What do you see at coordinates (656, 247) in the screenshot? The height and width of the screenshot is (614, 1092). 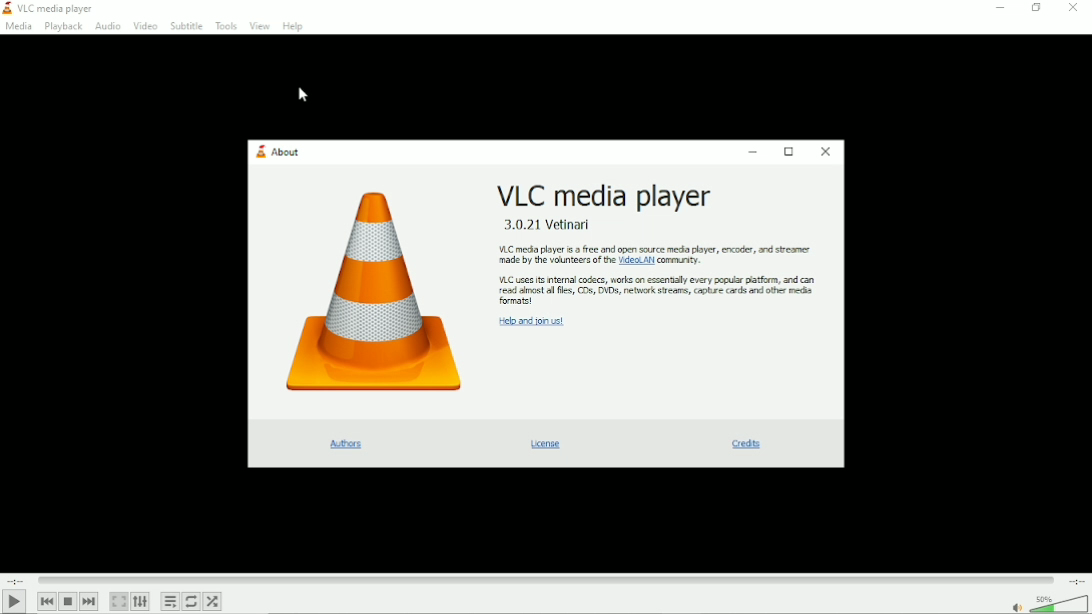 I see `VLC media player is a free and open source media player, encoder, and streamer` at bounding box center [656, 247].